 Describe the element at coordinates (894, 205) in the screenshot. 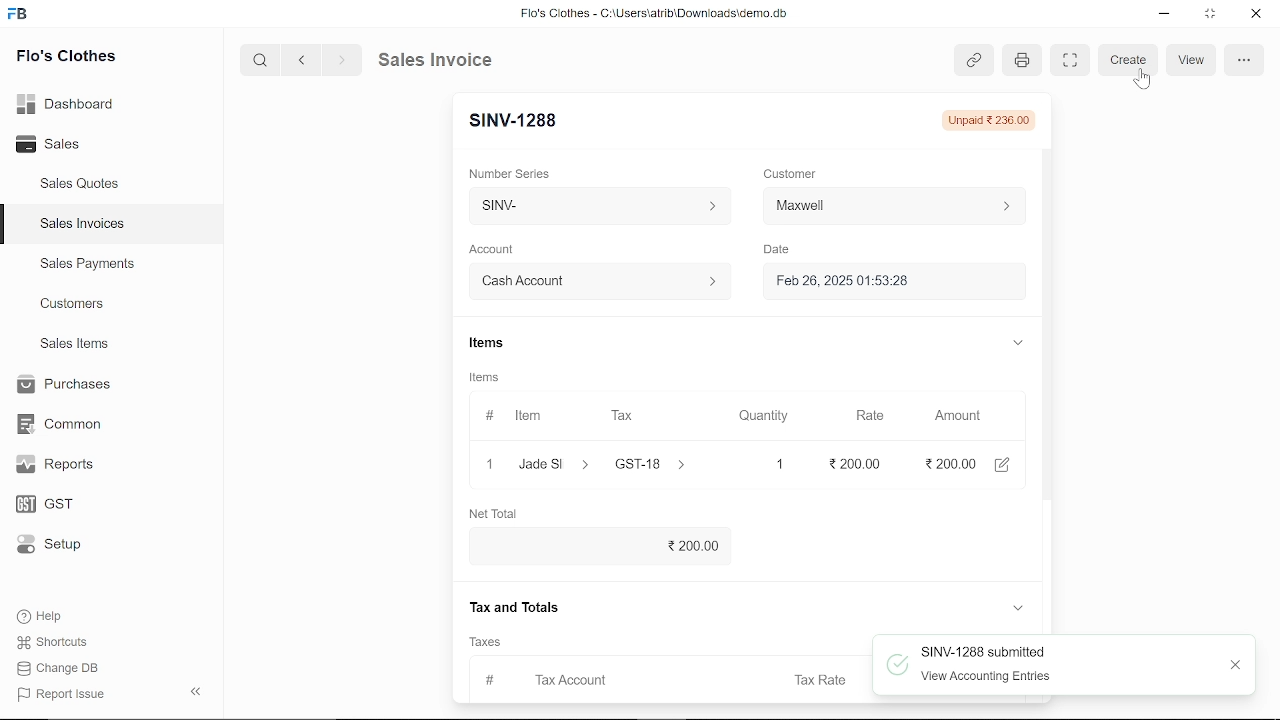

I see `Customer` at that location.